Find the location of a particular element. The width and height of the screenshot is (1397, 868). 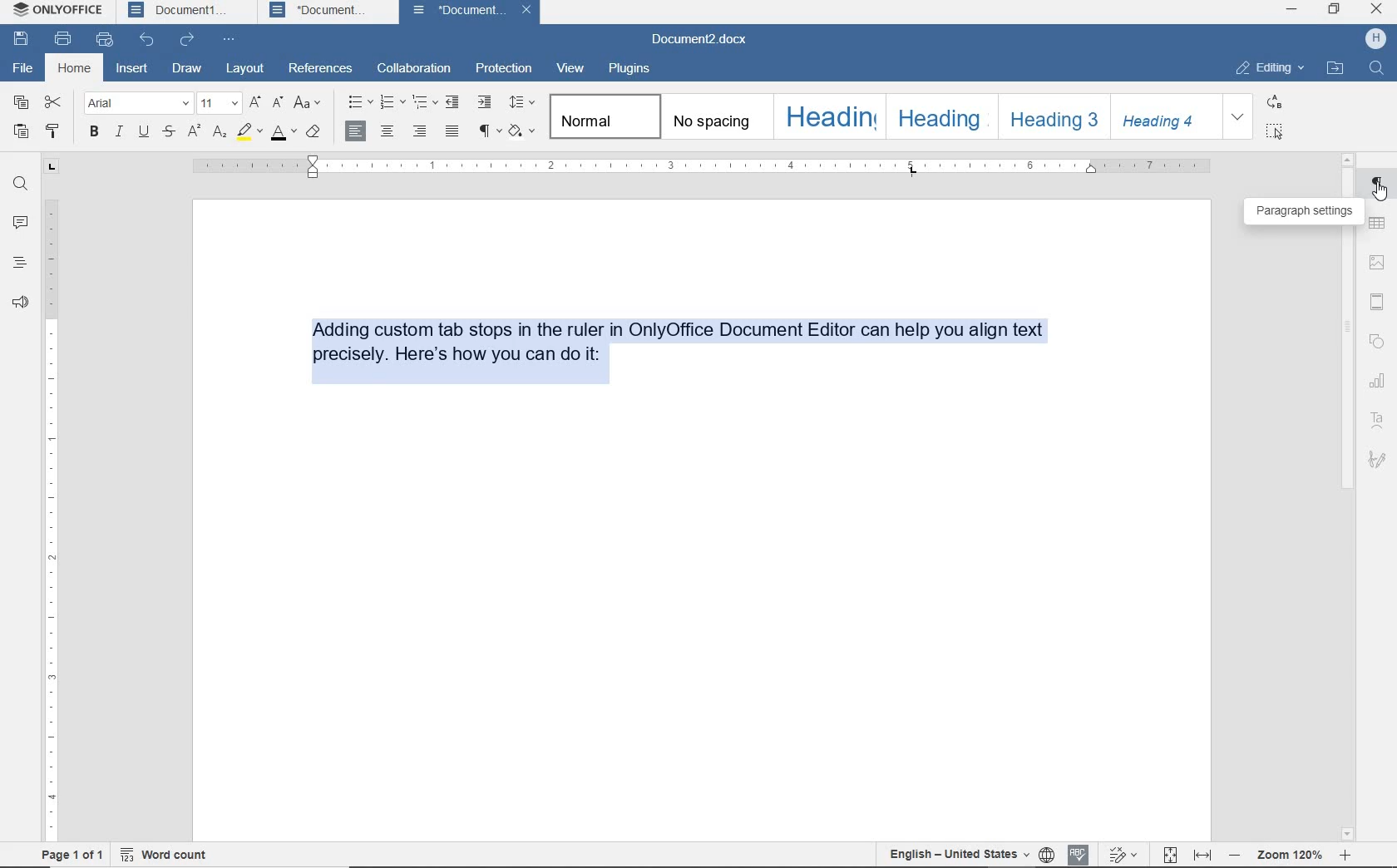

close is located at coordinates (528, 12).